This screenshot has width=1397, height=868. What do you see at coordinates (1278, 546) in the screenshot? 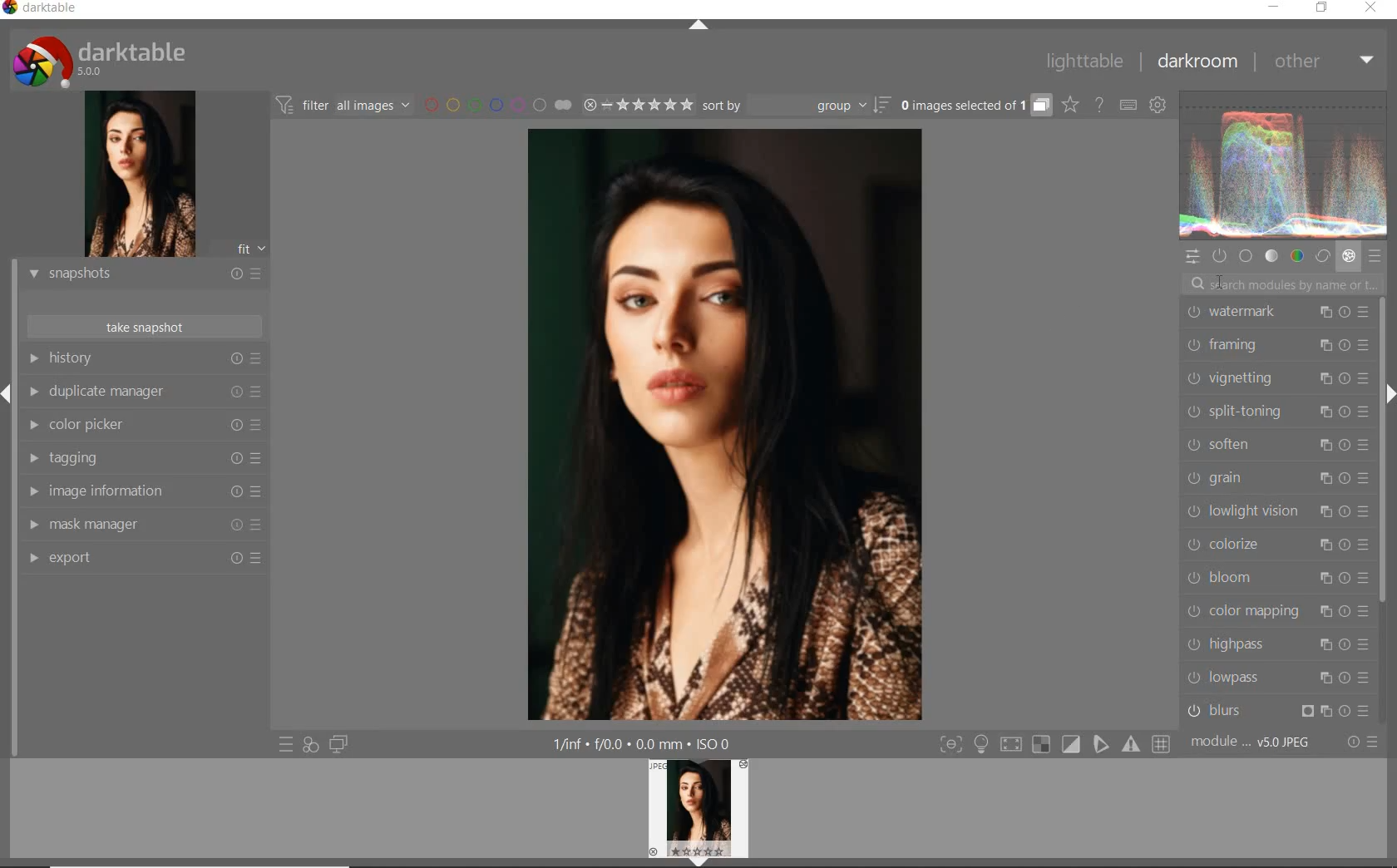
I see `colorize` at bounding box center [1278, 546].